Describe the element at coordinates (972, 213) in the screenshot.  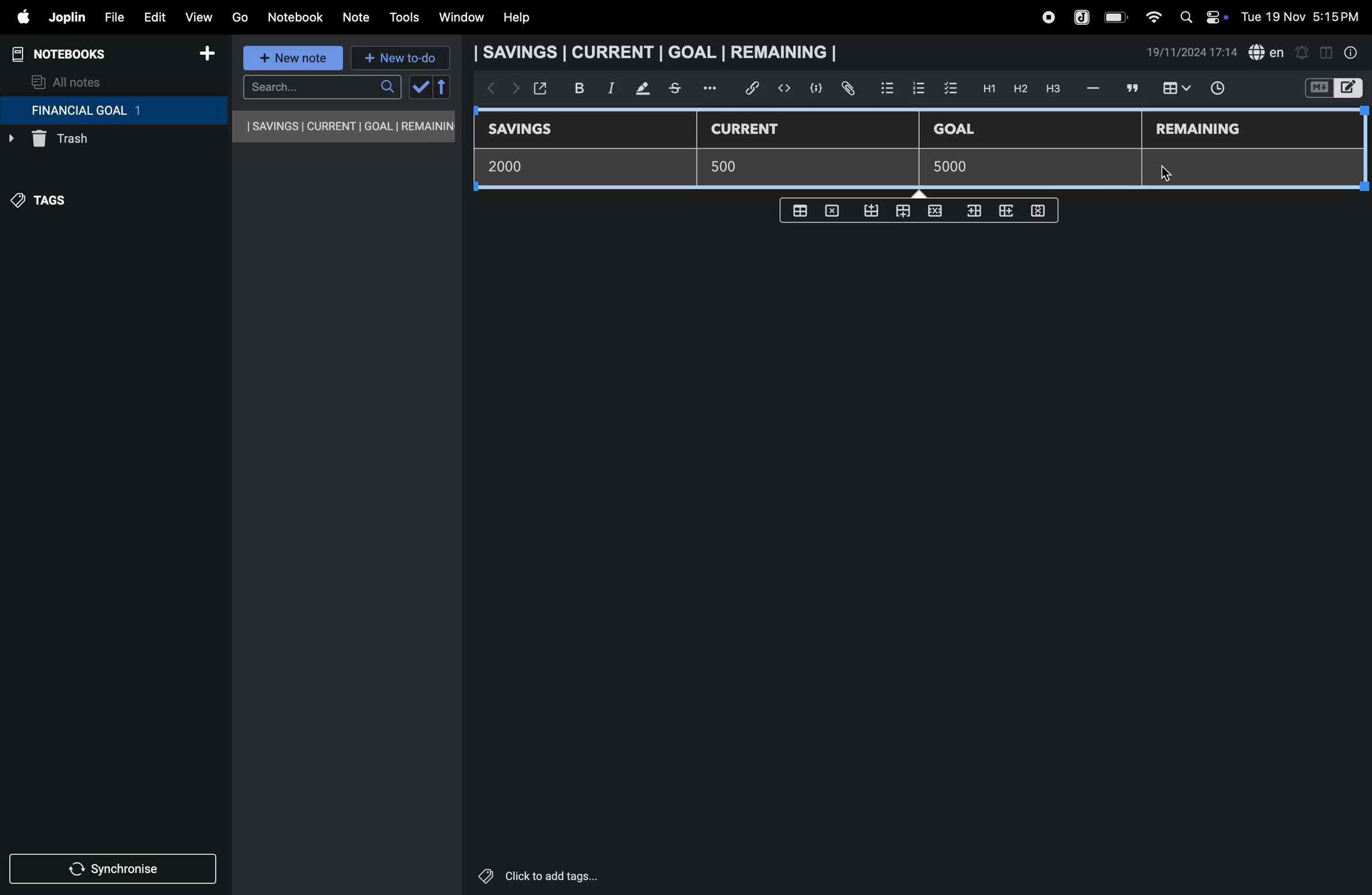
I see `inser rows` at that location.